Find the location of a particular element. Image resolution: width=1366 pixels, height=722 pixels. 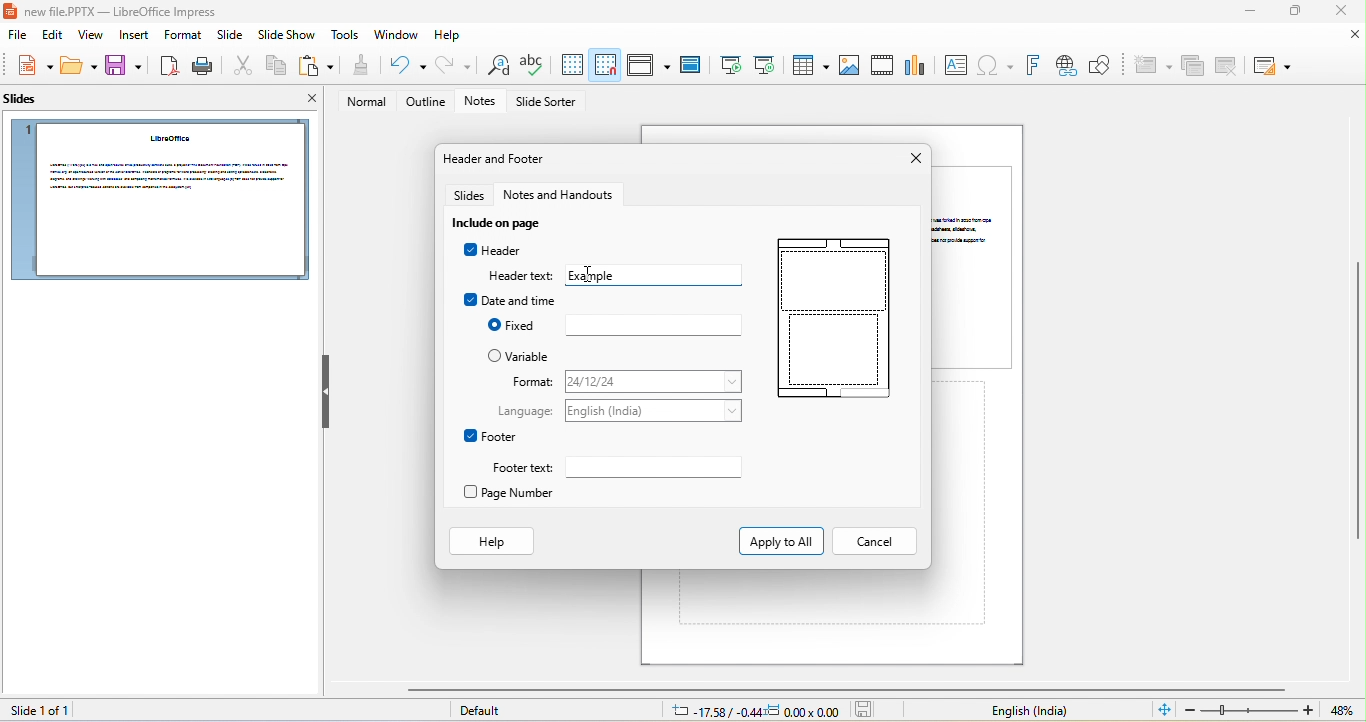

vertical scrollbar is located at coordinates (1357, 402).